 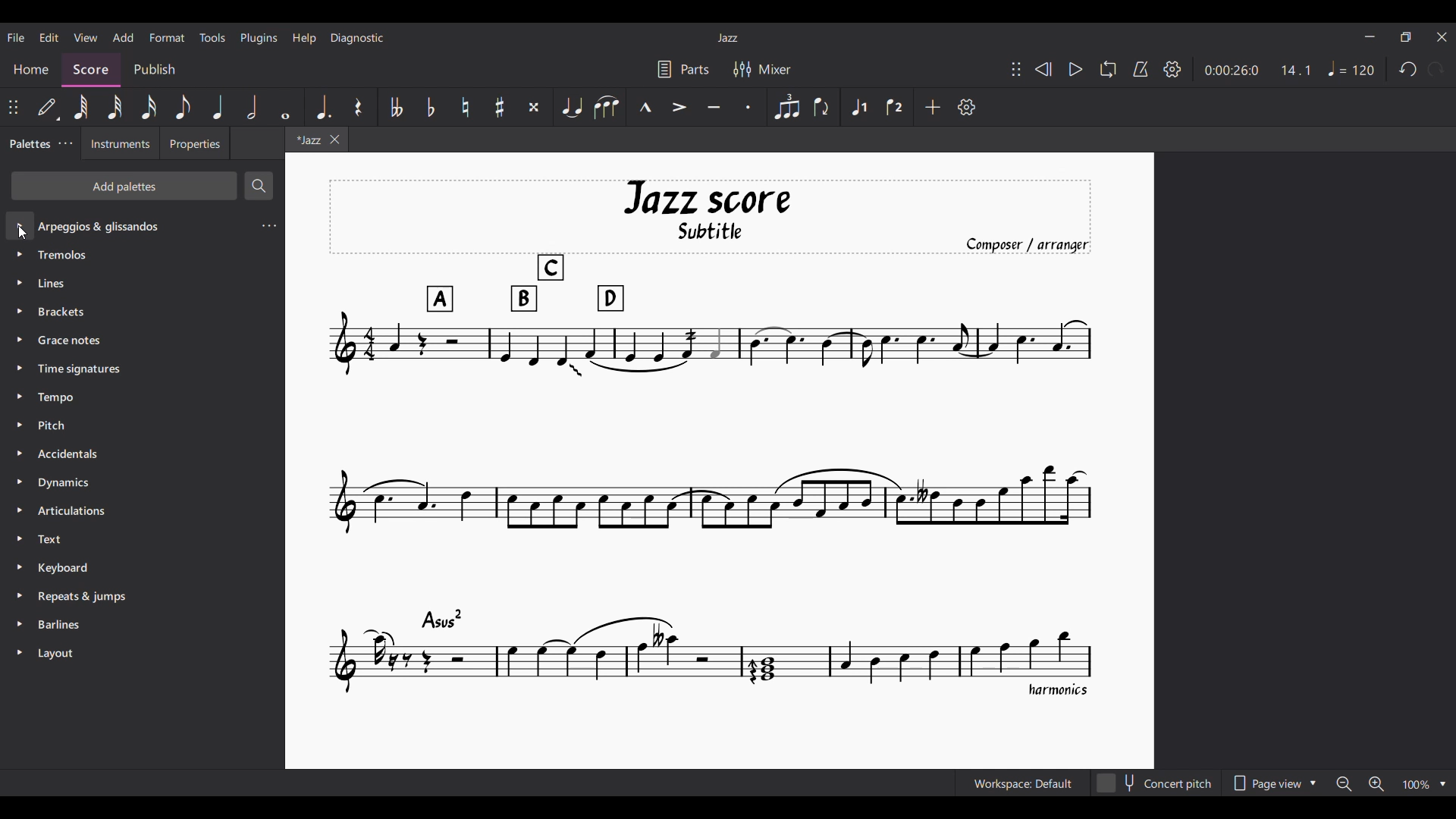 I want to click on Properties, so click(x=194, y=143).